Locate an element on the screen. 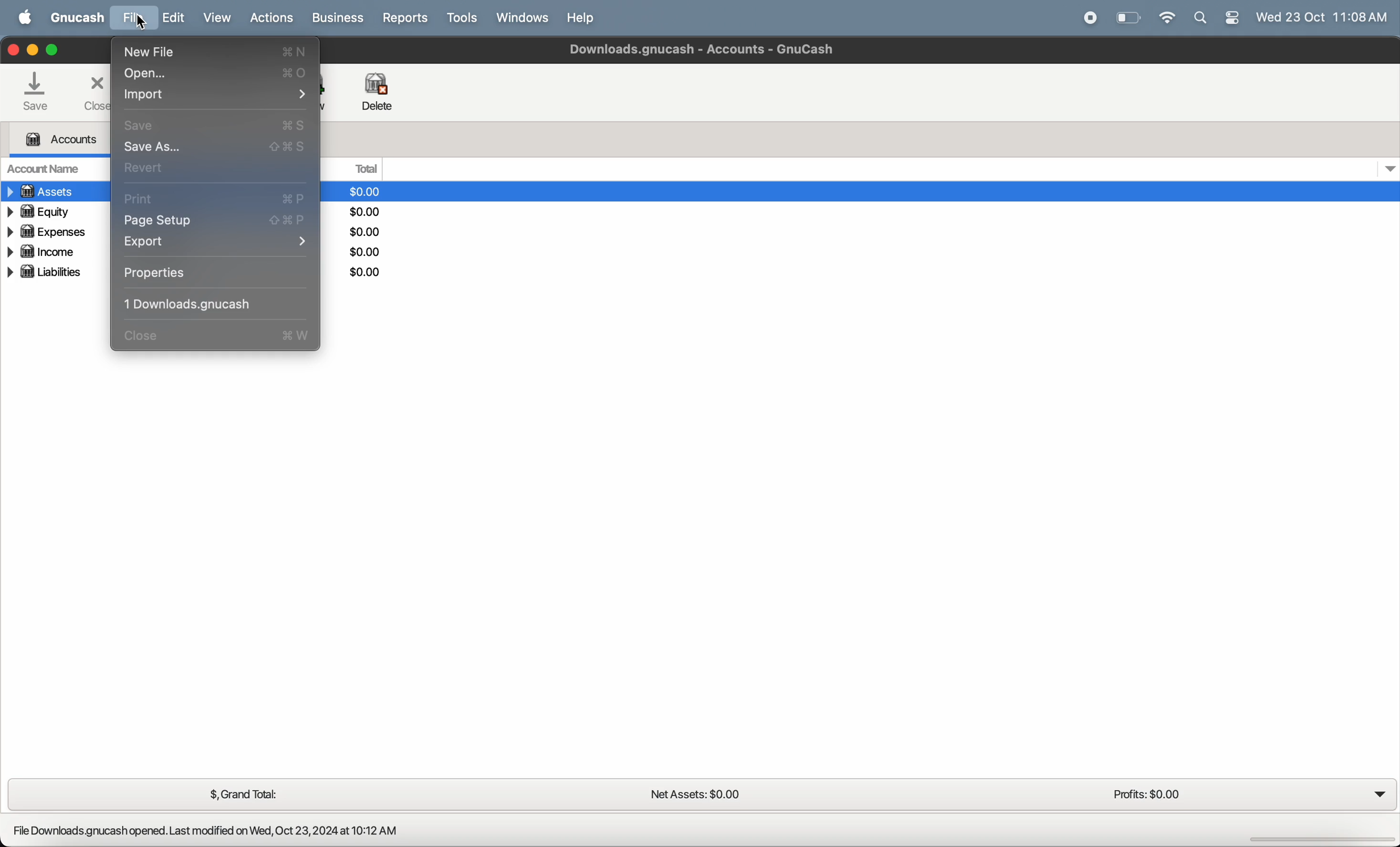 Image resolution: width=1400 pixels, height=847 pixels. grand total is located at coordinates (254, 795).